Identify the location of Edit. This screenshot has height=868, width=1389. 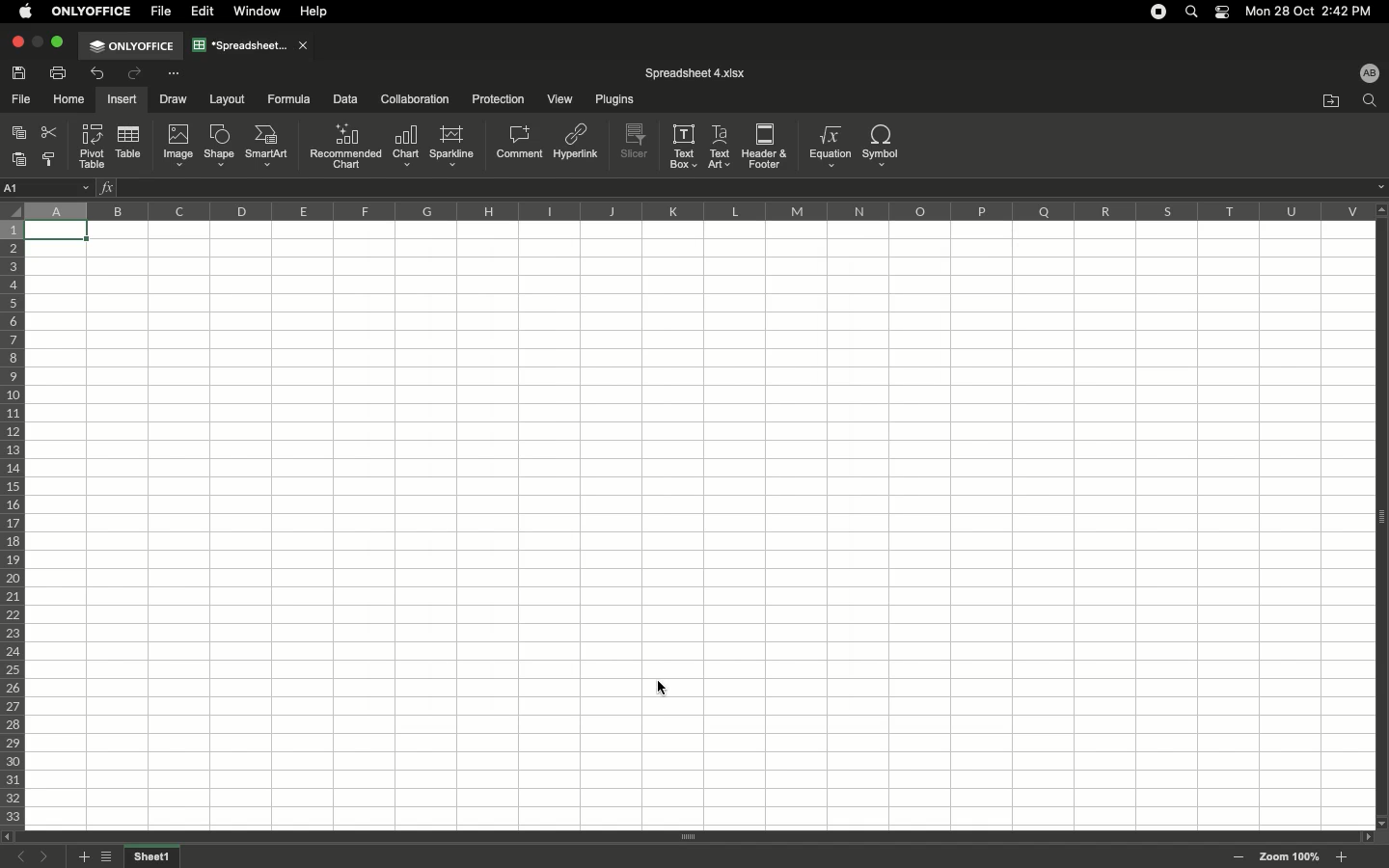
(204, 12).